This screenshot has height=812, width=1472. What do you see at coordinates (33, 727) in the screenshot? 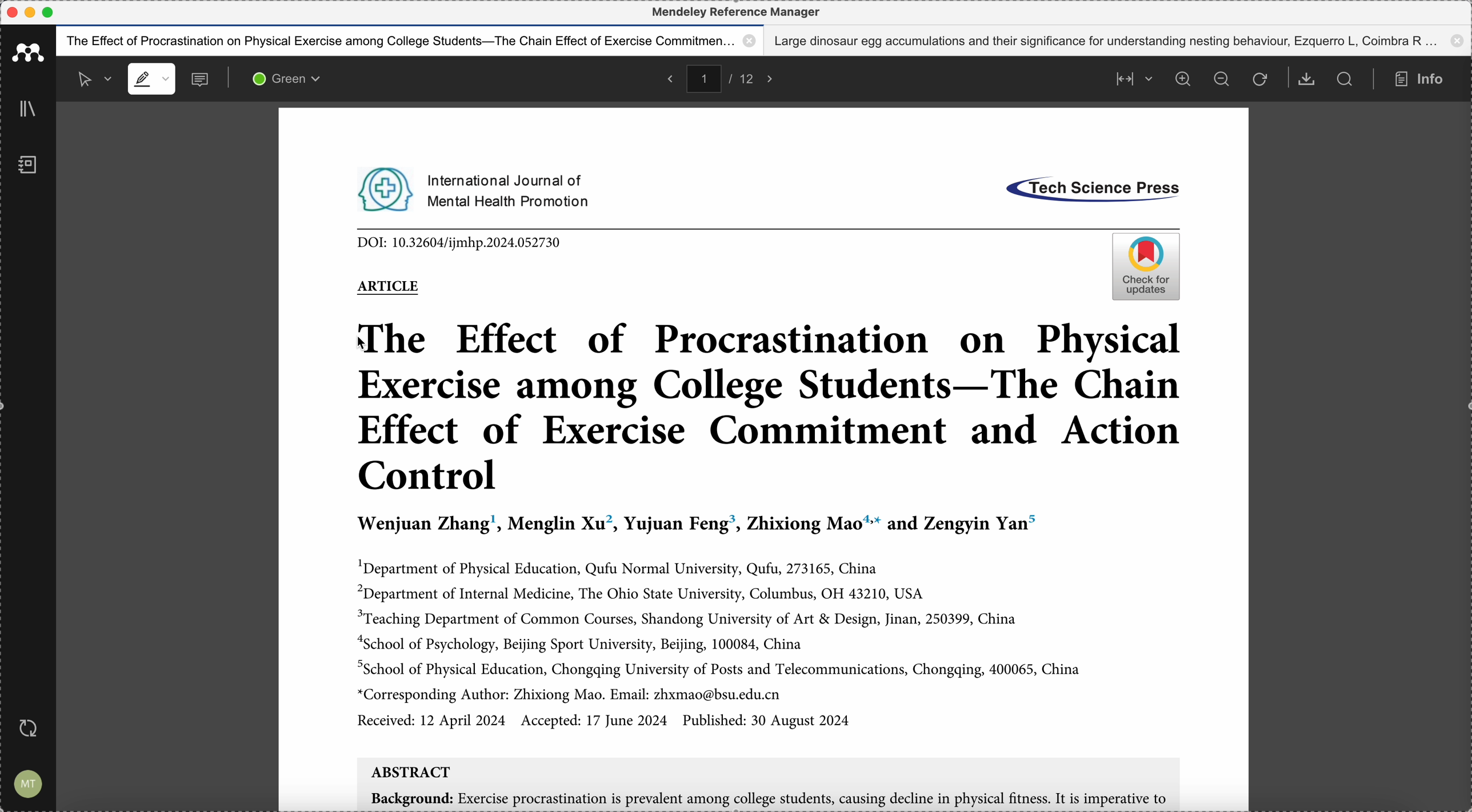
I see `last sync` at bounding box center [33, 727].